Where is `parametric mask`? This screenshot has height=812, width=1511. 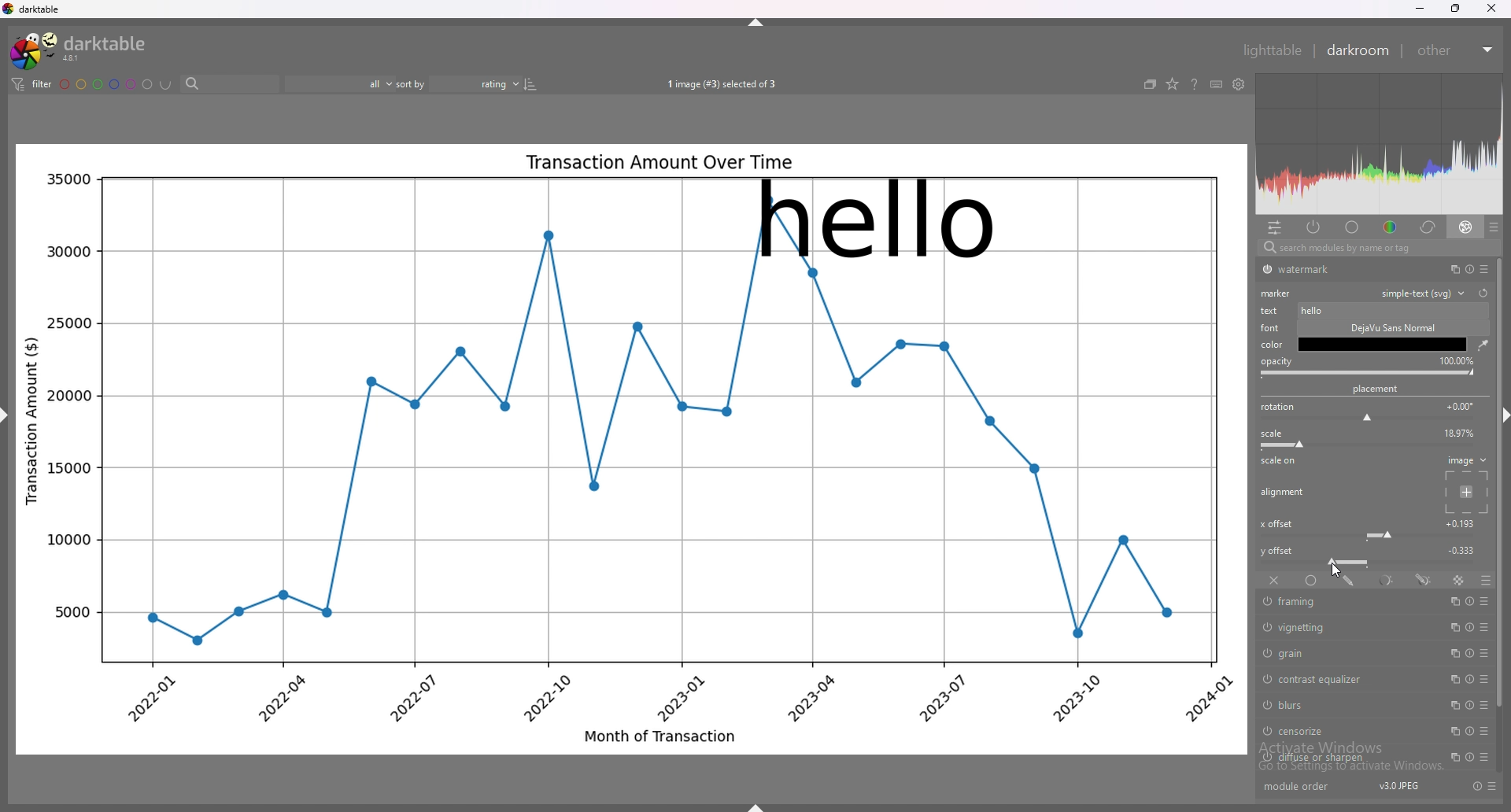
parametric mask is located at coordinates (1388, 580).